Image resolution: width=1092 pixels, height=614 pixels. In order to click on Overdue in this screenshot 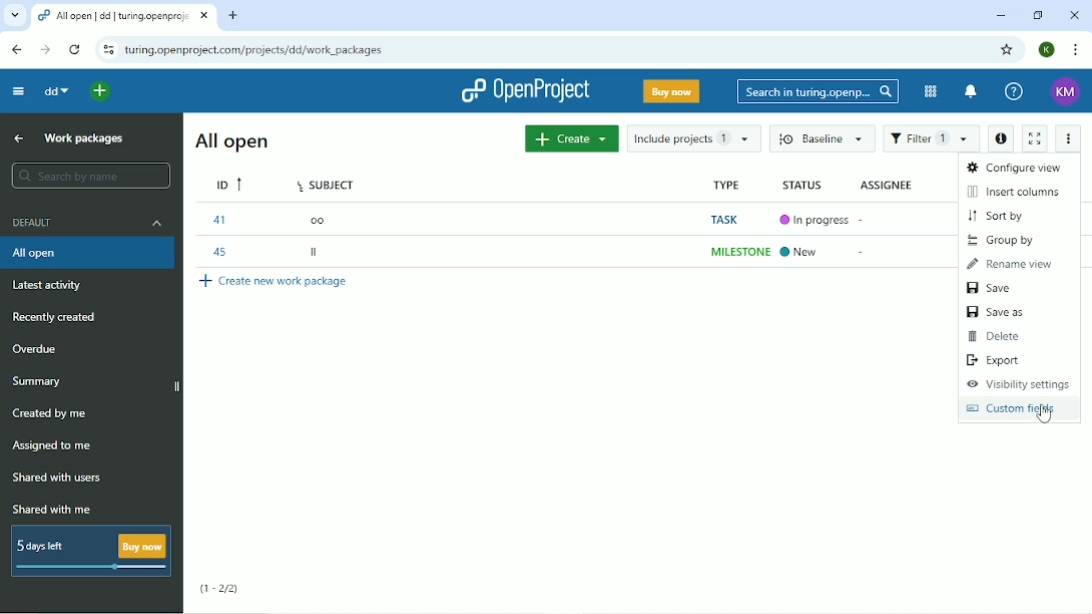, I will do `click(40, 350)`.